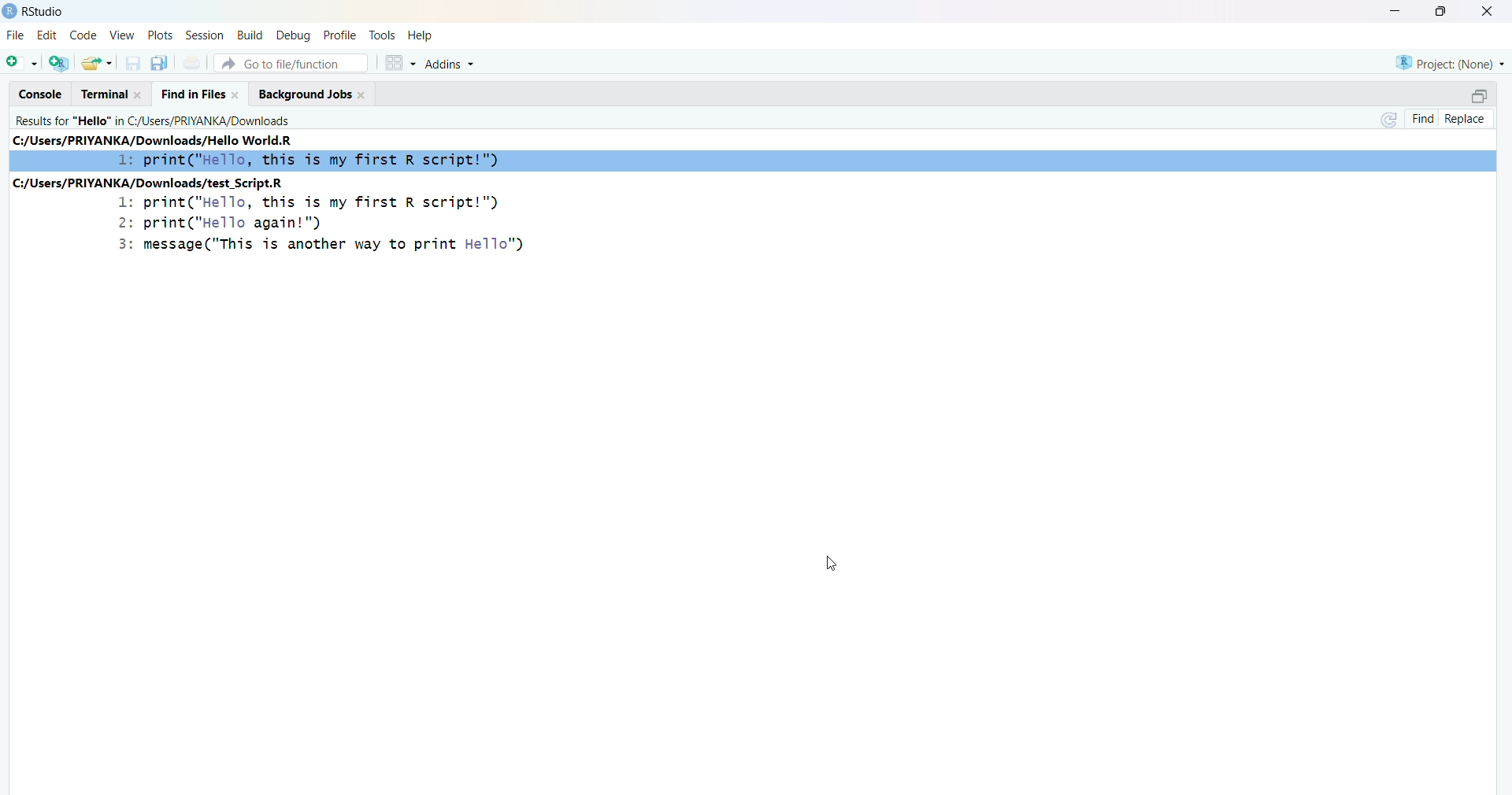 The width and height of the screenshot is (1512, 795). I want to click on Results for "Hello" in C:/Users/PRIYANKA/Downloads, so click(154, 120).